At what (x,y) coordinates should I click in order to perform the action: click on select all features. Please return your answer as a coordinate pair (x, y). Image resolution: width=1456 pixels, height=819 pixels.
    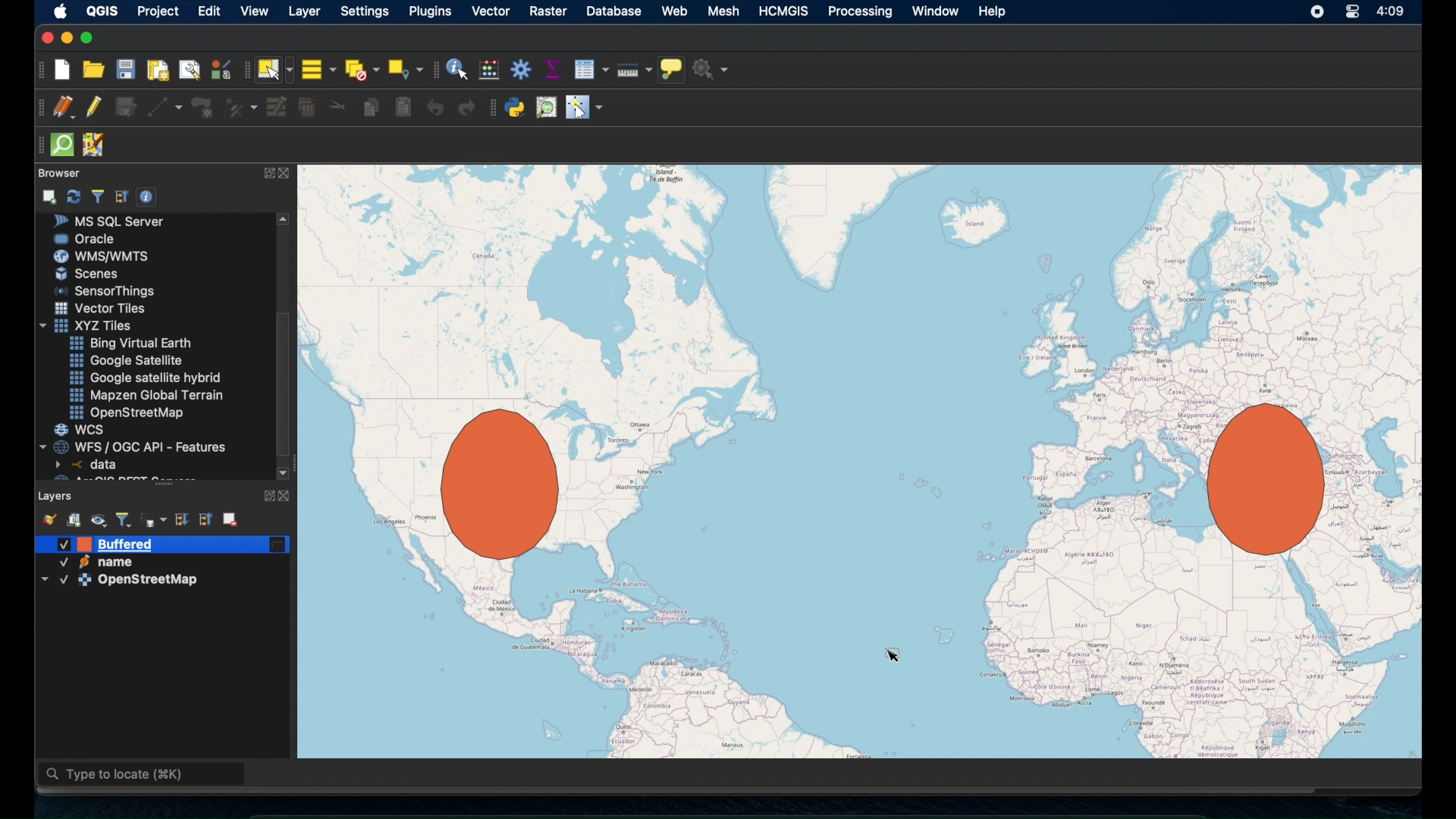
    Looking at the image, I should click on (318, 69).